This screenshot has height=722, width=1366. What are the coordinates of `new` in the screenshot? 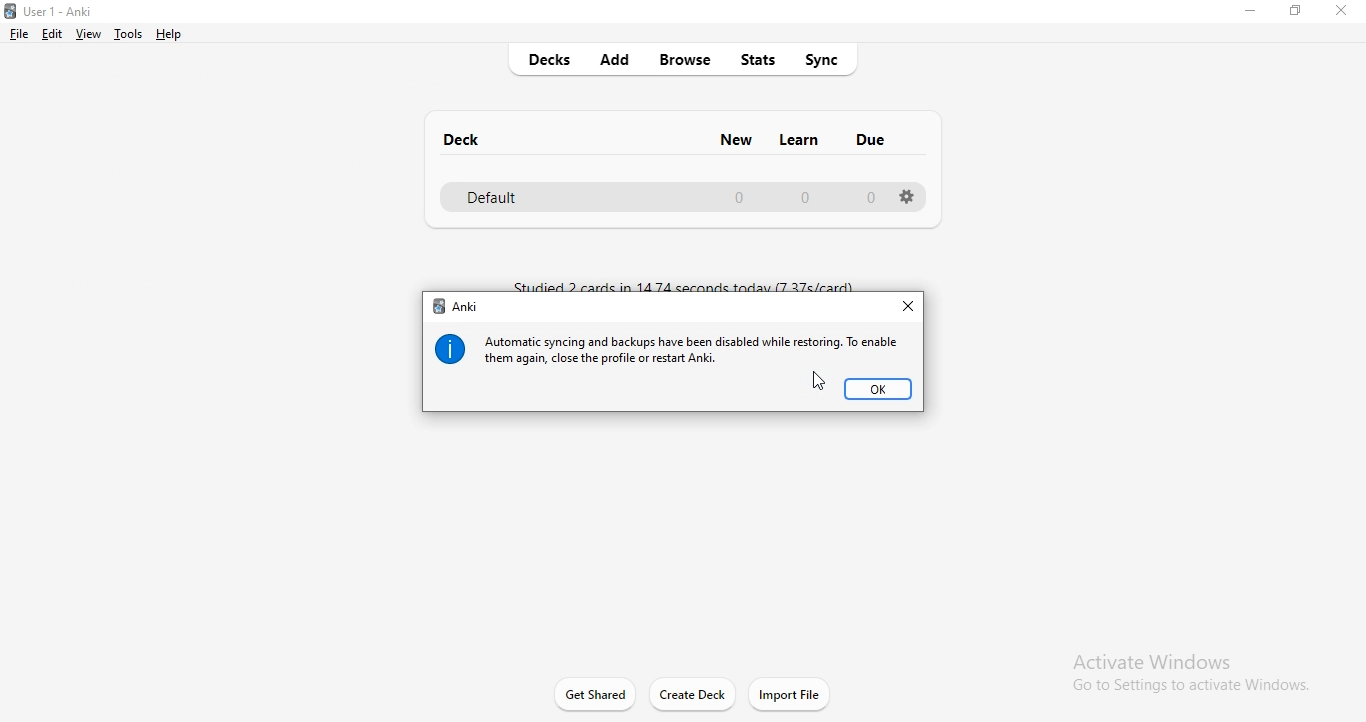 It's located at (735, 137).